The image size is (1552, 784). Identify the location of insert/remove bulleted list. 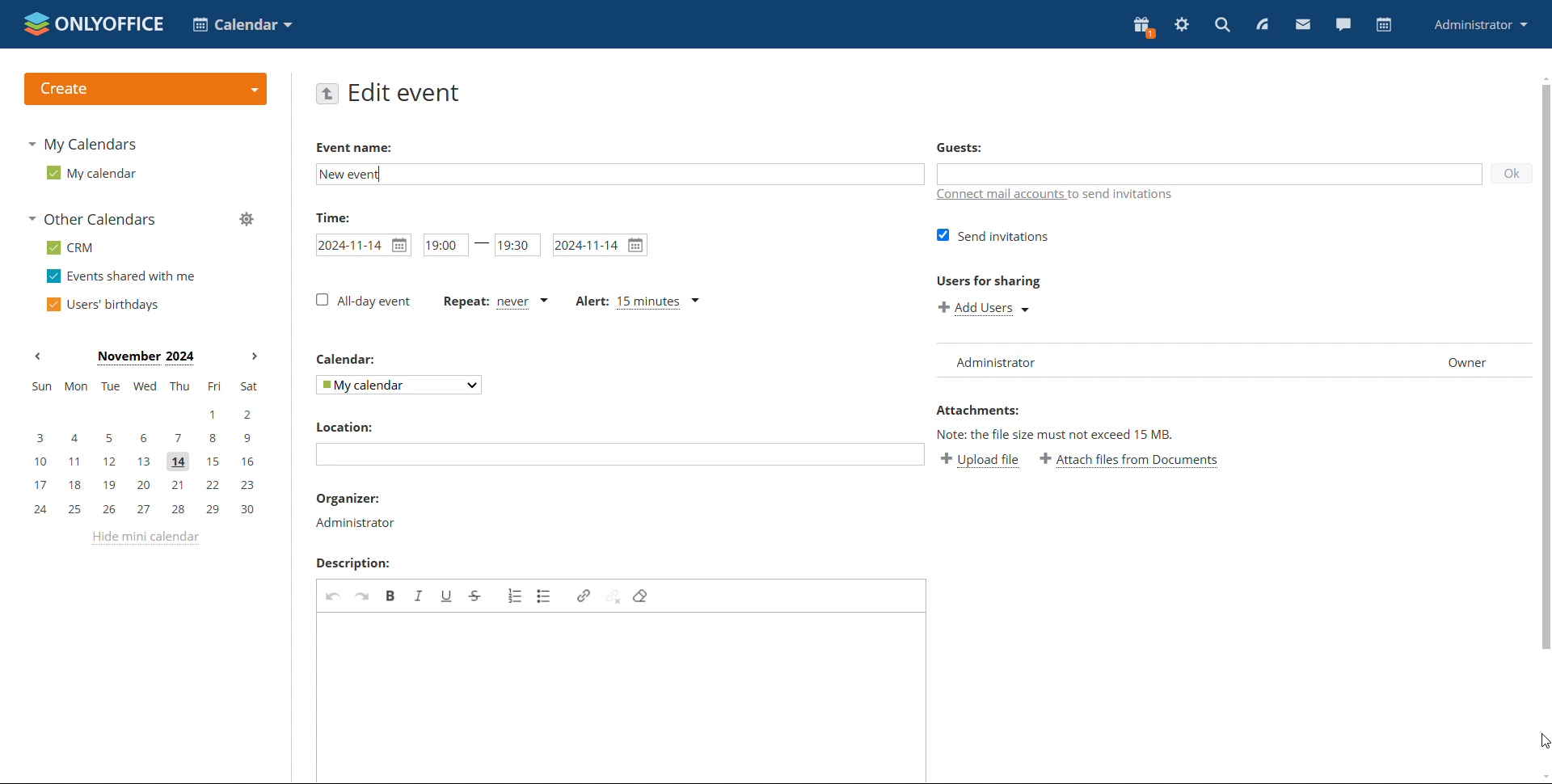
(544, 596).